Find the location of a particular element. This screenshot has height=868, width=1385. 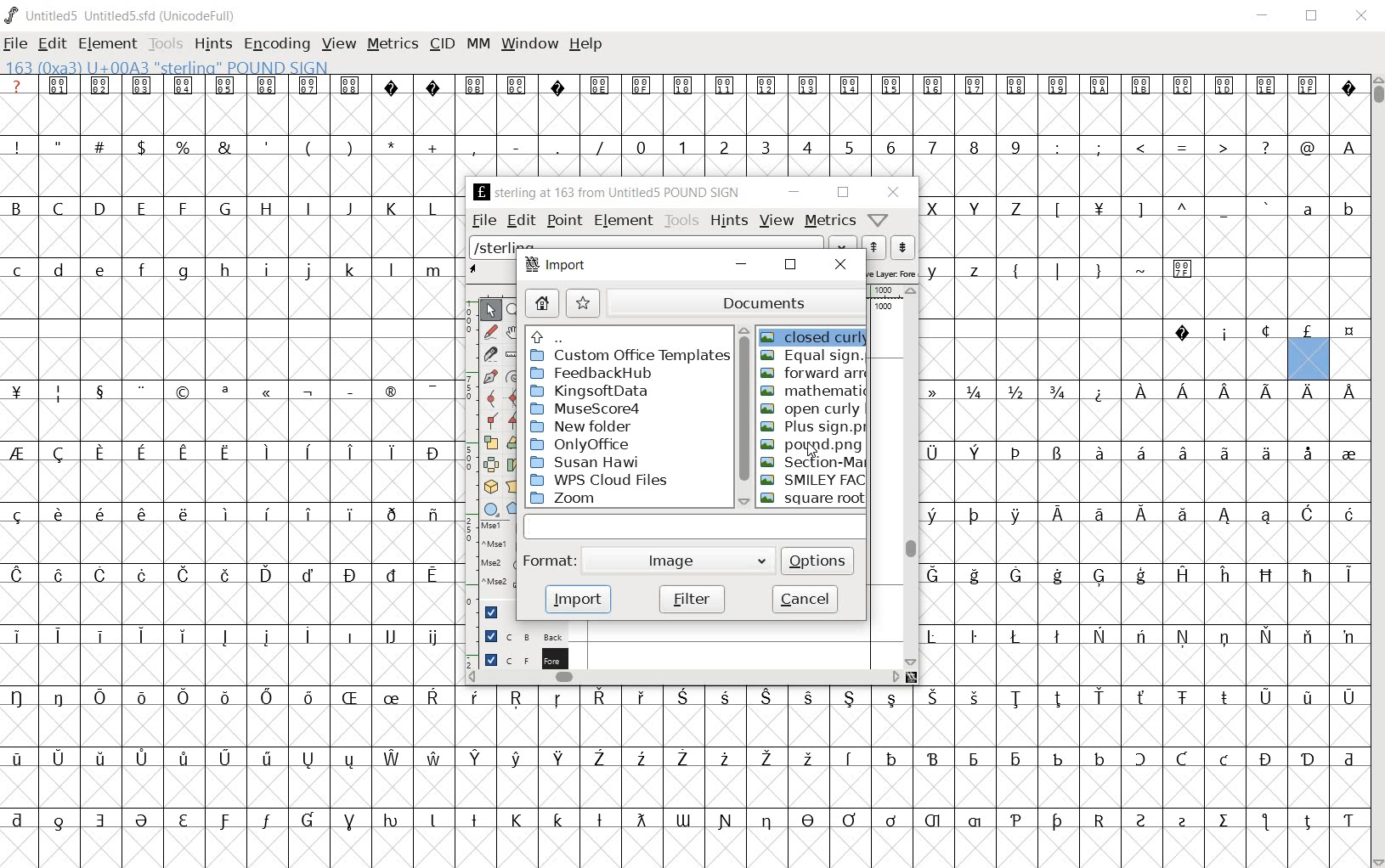

Symbol is located at coordinates (1183, 395).